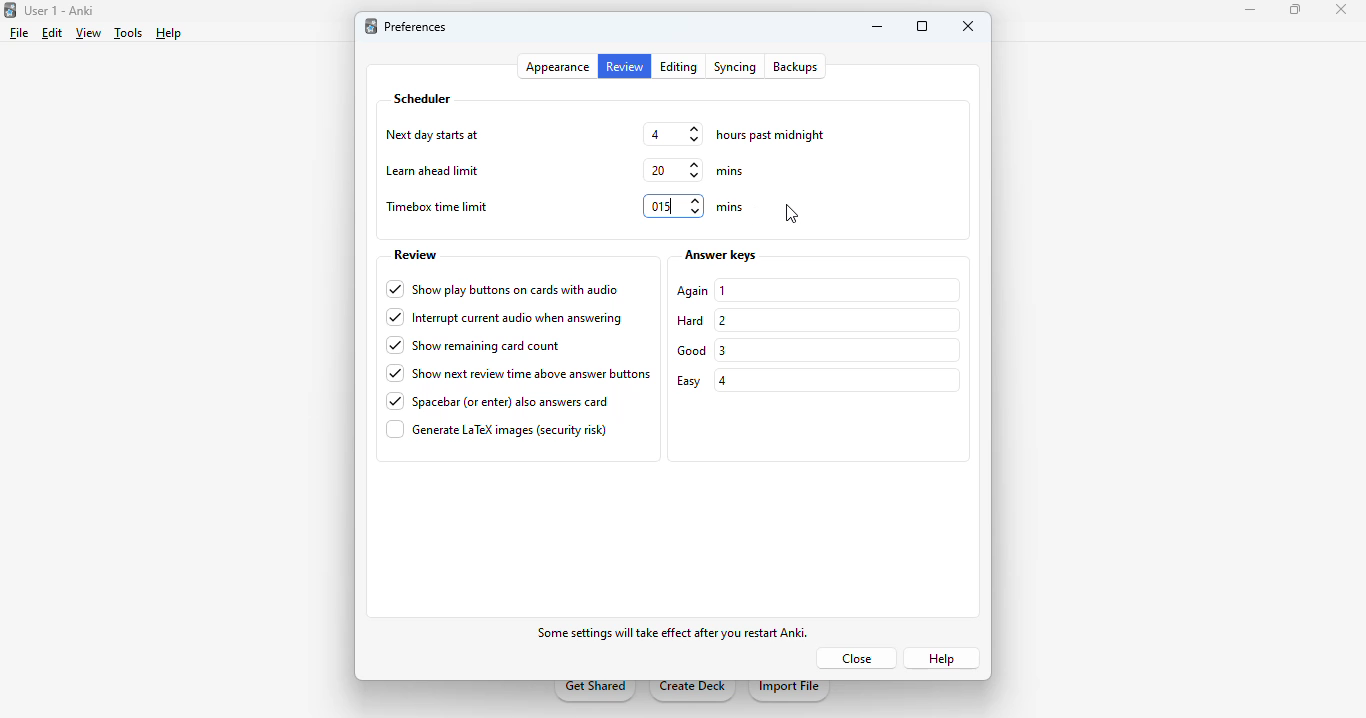 Image resolution: width=1366 pixels, height=718 pixels. What do you see at coordinates (770, 135) in the screenshot?
I see `hours past midnight` at bounding box center [770, 135].